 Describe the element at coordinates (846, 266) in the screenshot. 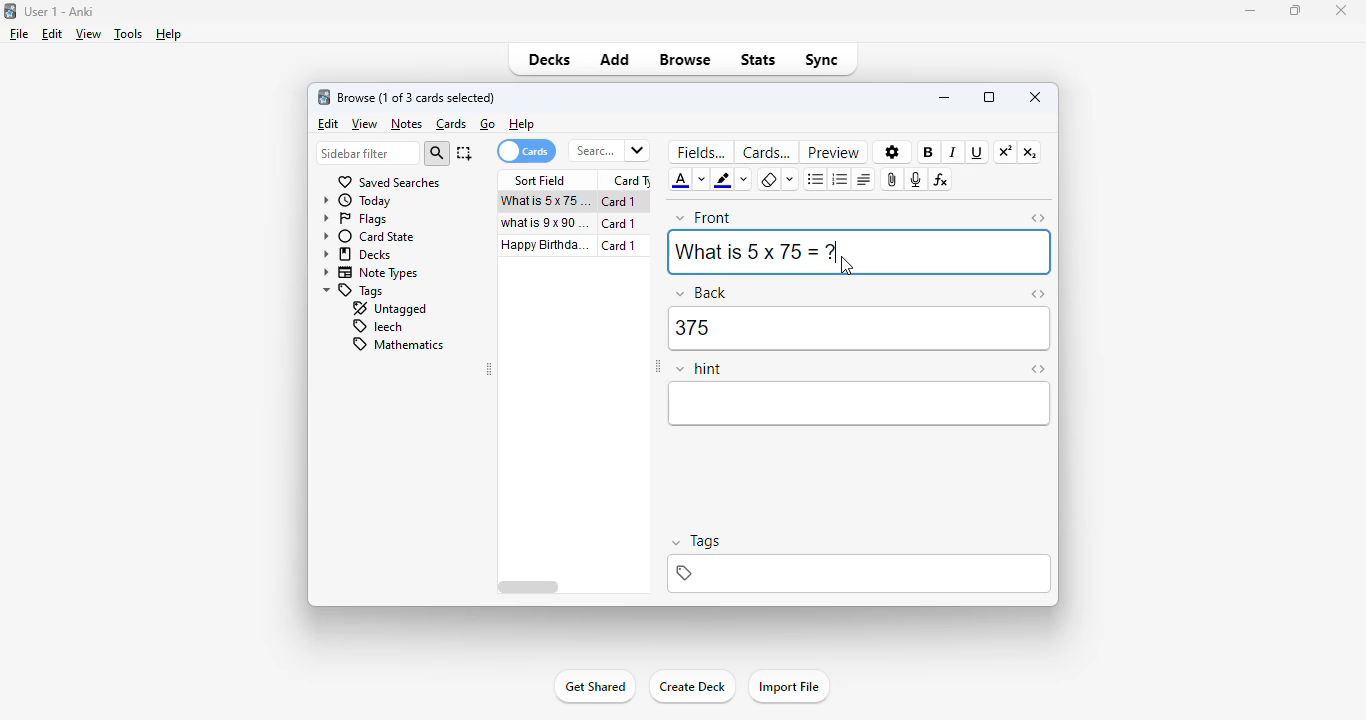

I see `cursor` at that location.